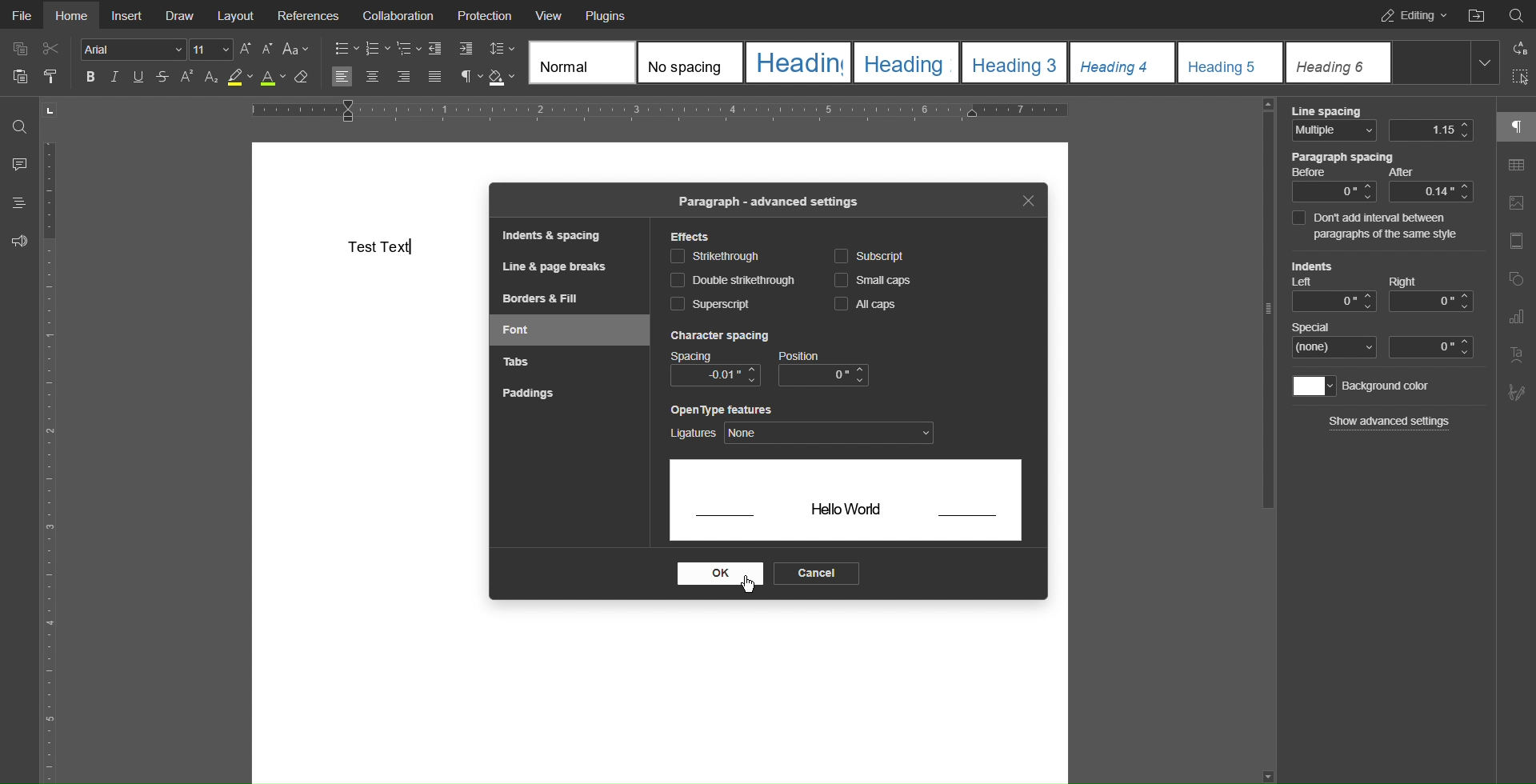 This screenshot has height=784, width=1536. What do you see at coordinates (692, 237) in the screenshot?
I see `Effects` at bounding box center [692, 237].